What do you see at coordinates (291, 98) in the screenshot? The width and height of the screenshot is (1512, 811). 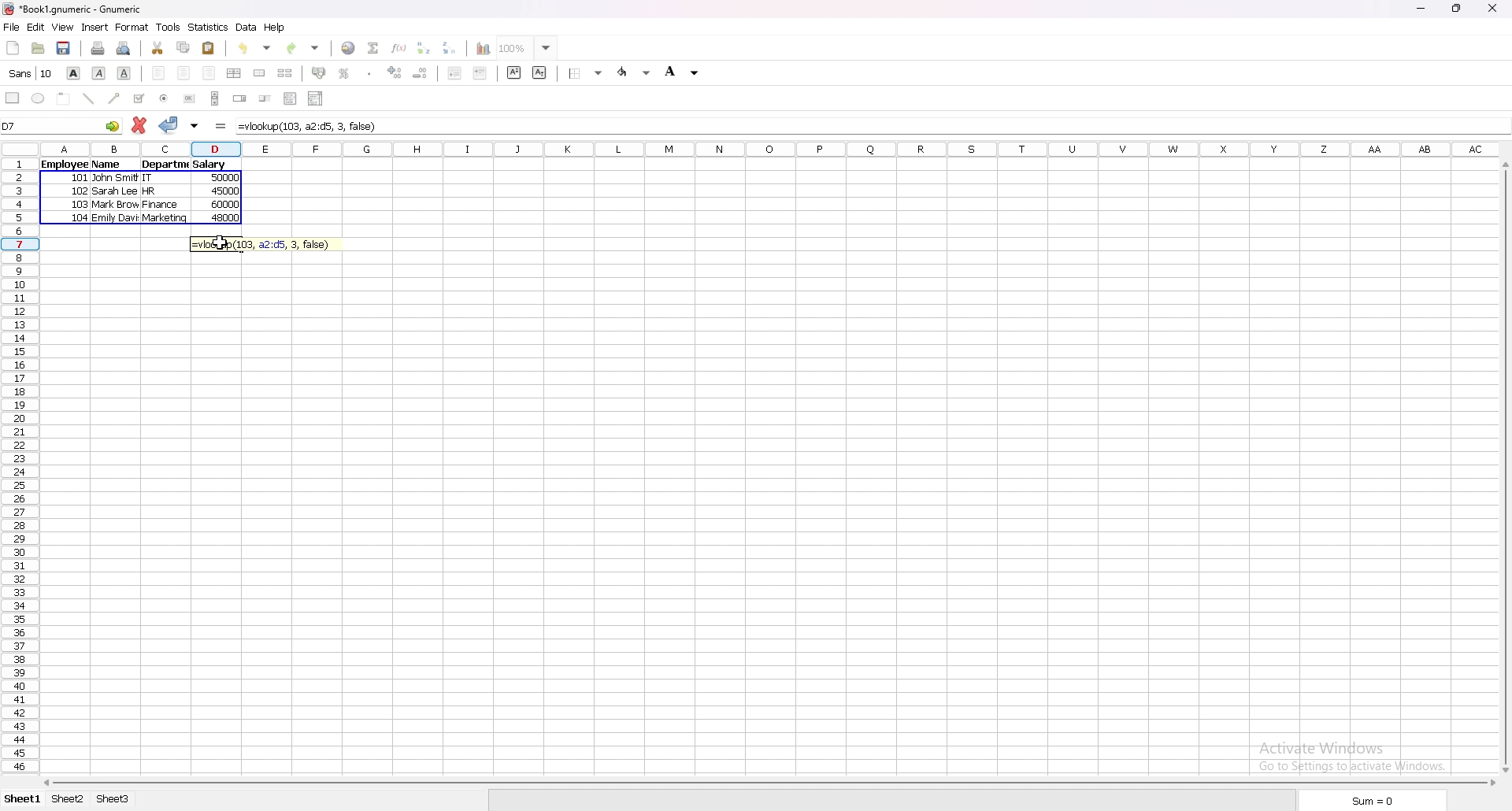 I see `list` at bounding box center [291, 98].